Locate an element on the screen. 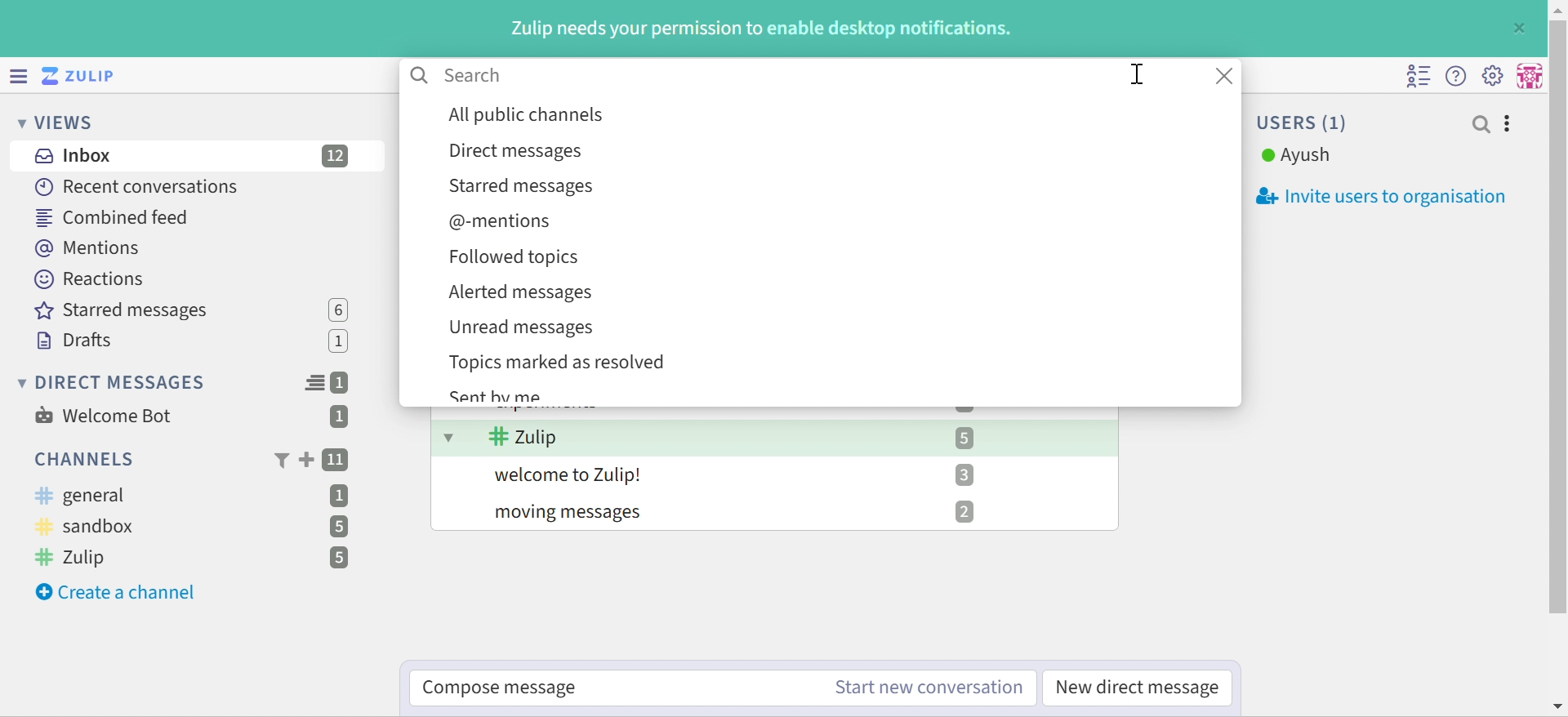 This screenshot has height=717, width=1568. 1 is located at coordinates (341, 343).